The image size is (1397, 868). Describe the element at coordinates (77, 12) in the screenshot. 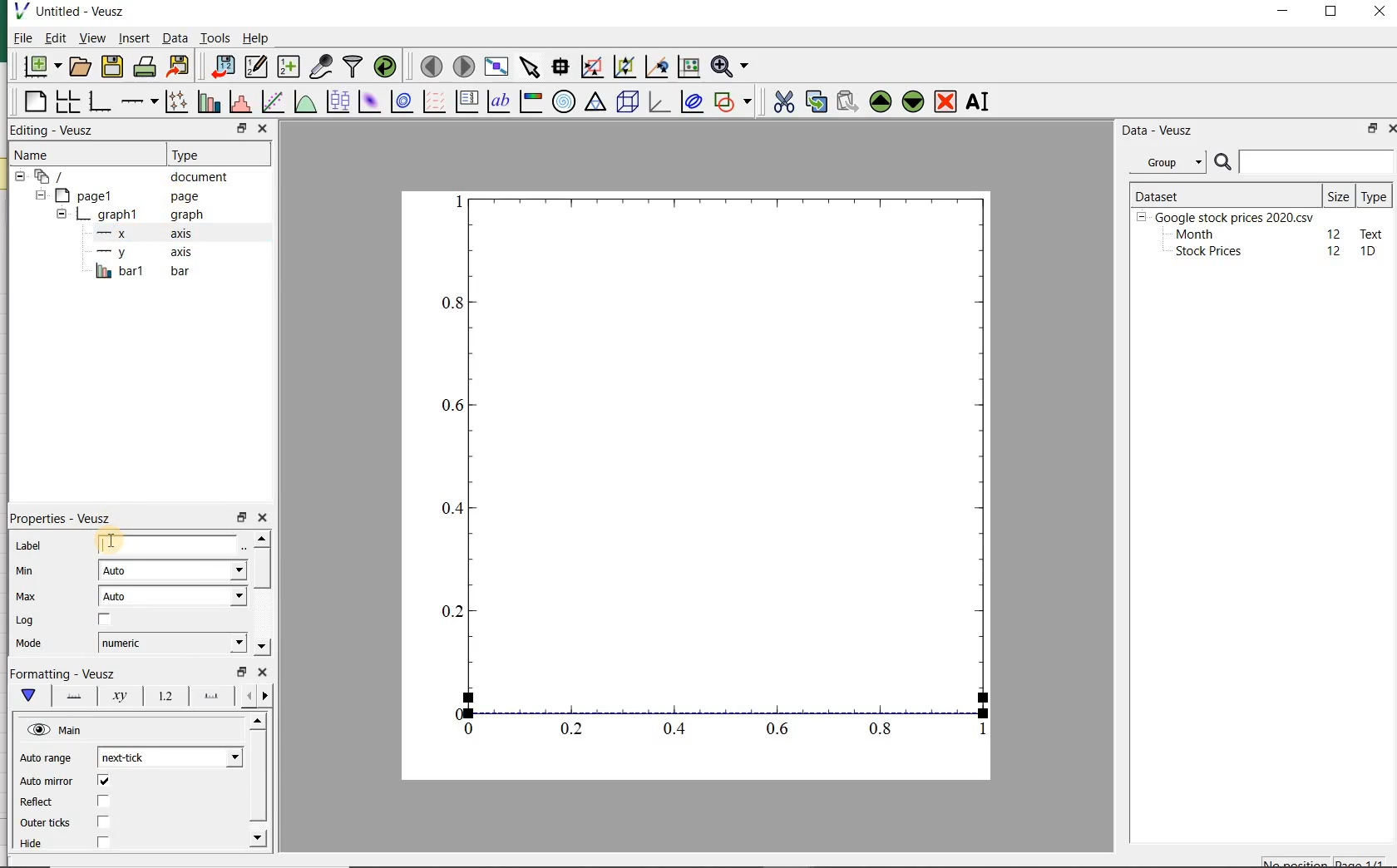

I see `Untitled-Veusz` at that location.